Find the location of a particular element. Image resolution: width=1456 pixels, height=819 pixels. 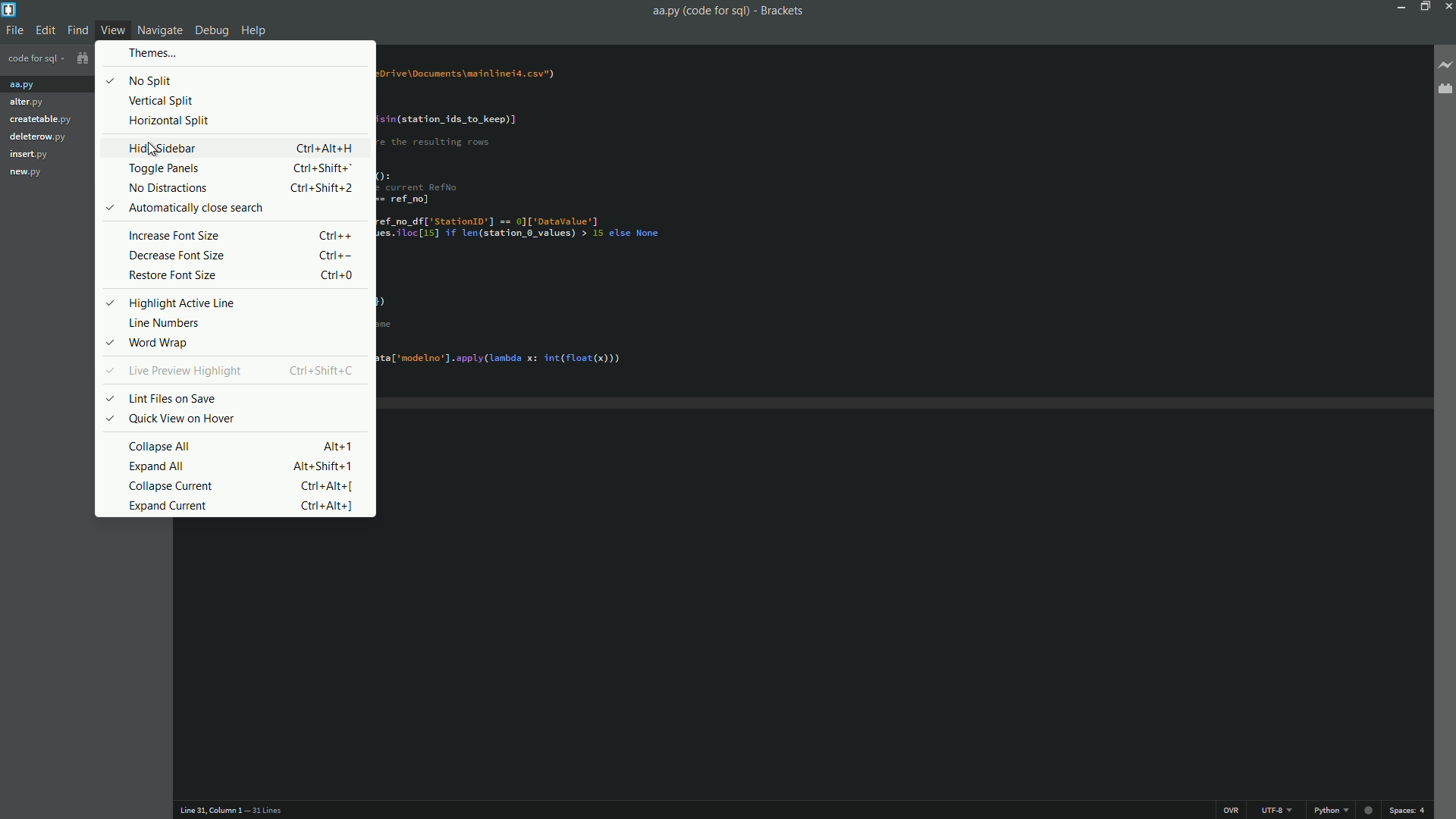

code editor is located at coordinates (541, 218).